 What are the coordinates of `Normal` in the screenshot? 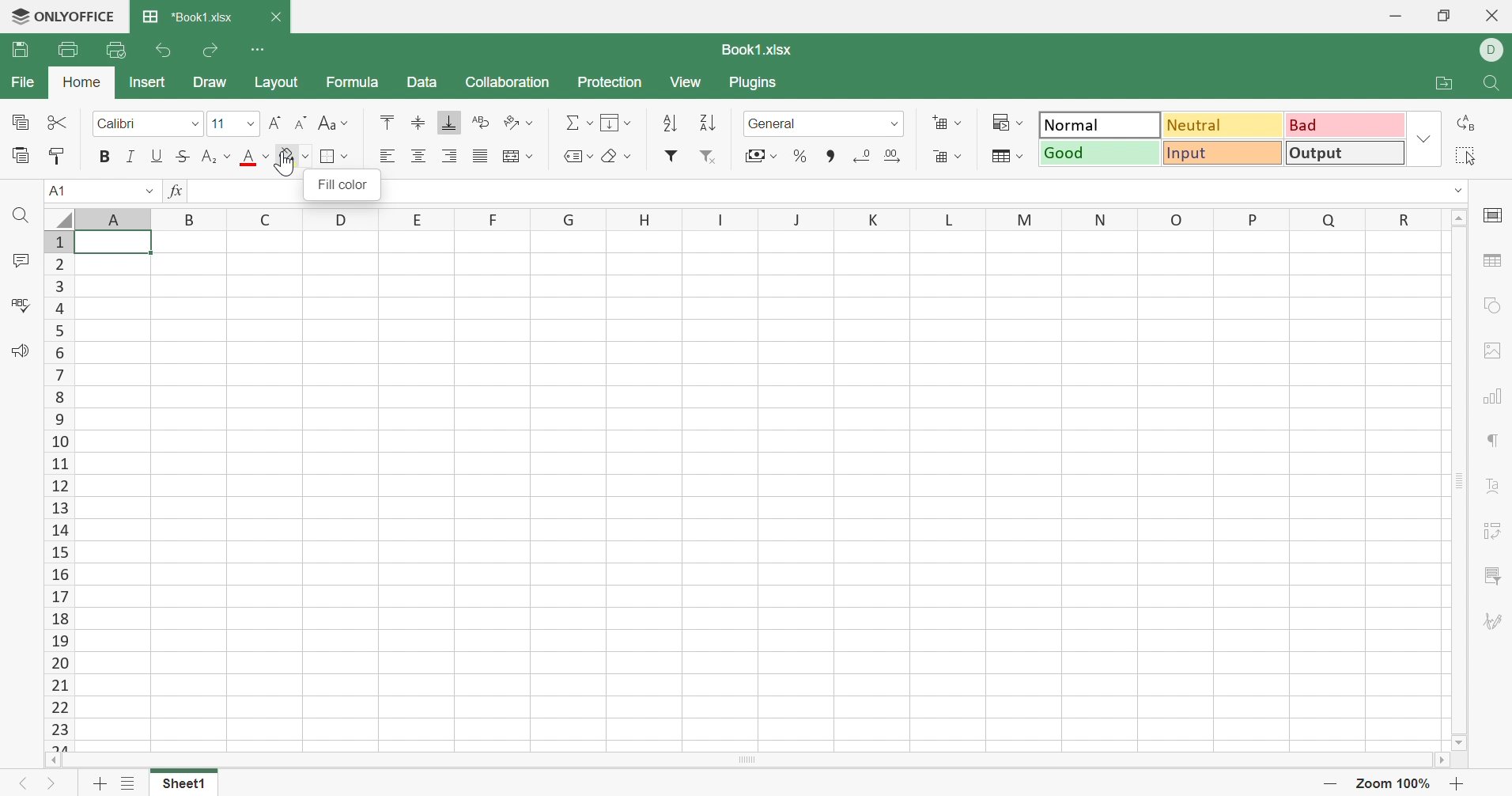 It's located at (1099, 123).